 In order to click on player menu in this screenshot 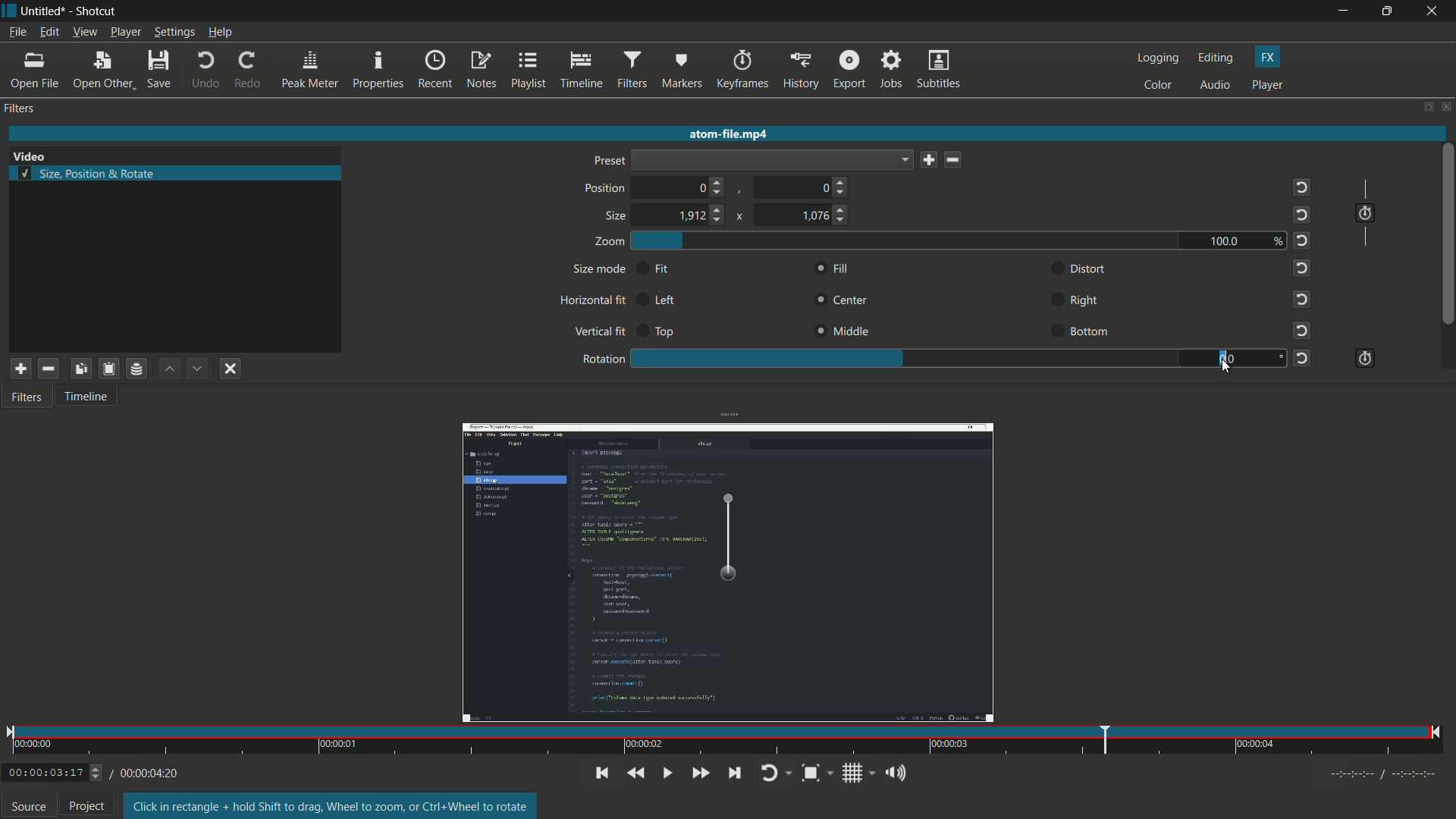, I will do `click(125, 33)`.